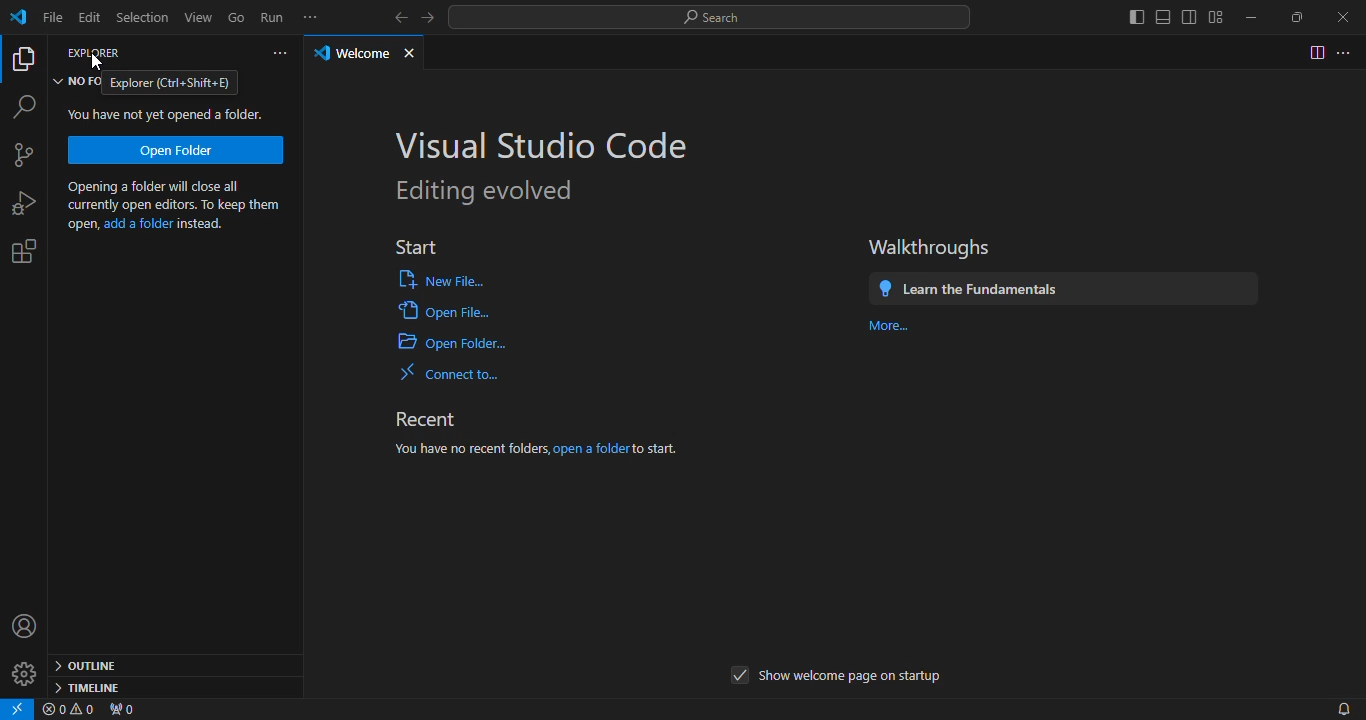 The width and height of the screenshot is (1366, 720). What do you see at coordinates (447, 314) in the screenshot?
I see `Open File` at bounding box center [447, 314].